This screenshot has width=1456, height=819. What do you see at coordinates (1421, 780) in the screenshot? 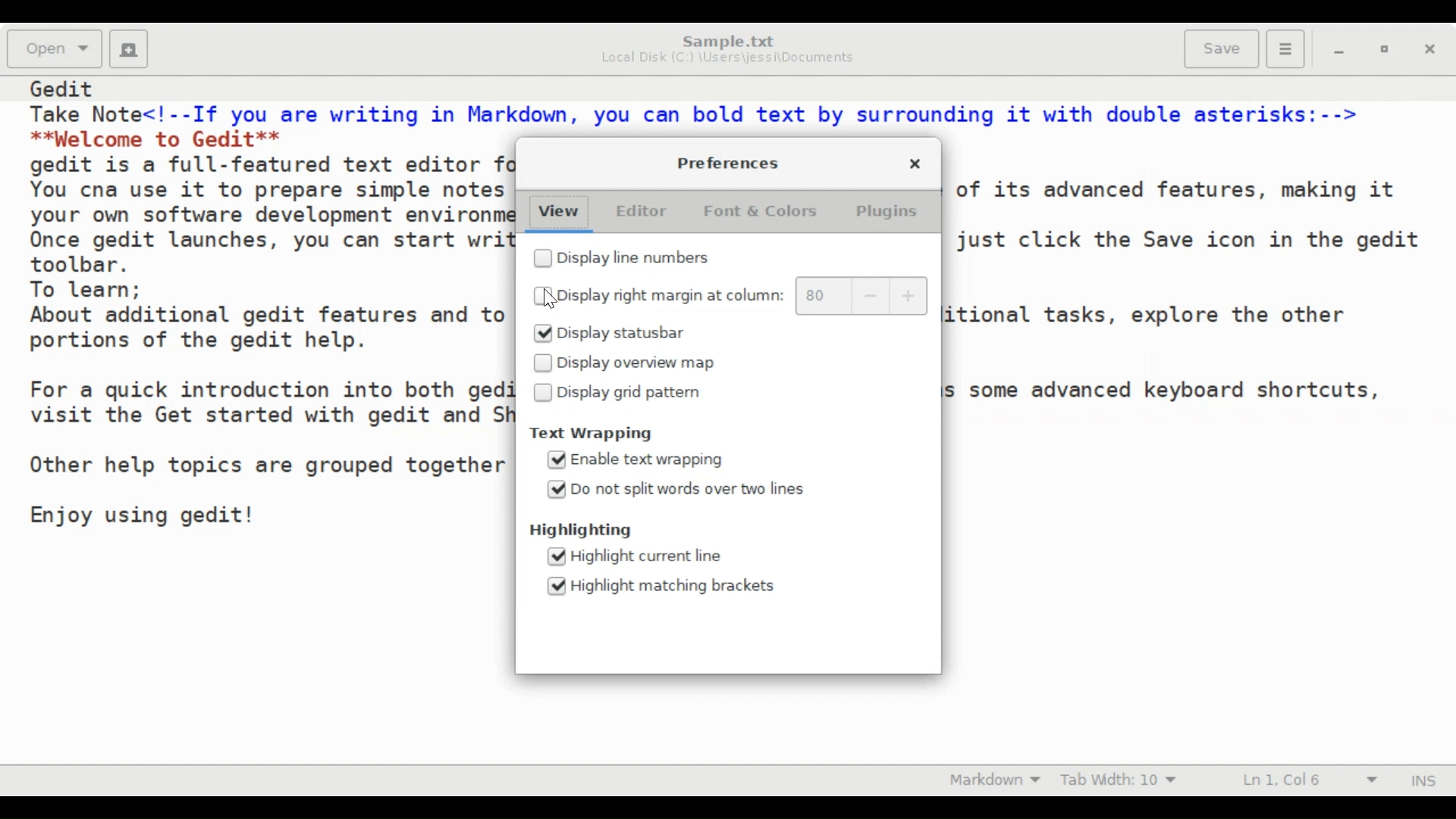
I see `Insert mode (INS)` at bounding box center [1421, 780].